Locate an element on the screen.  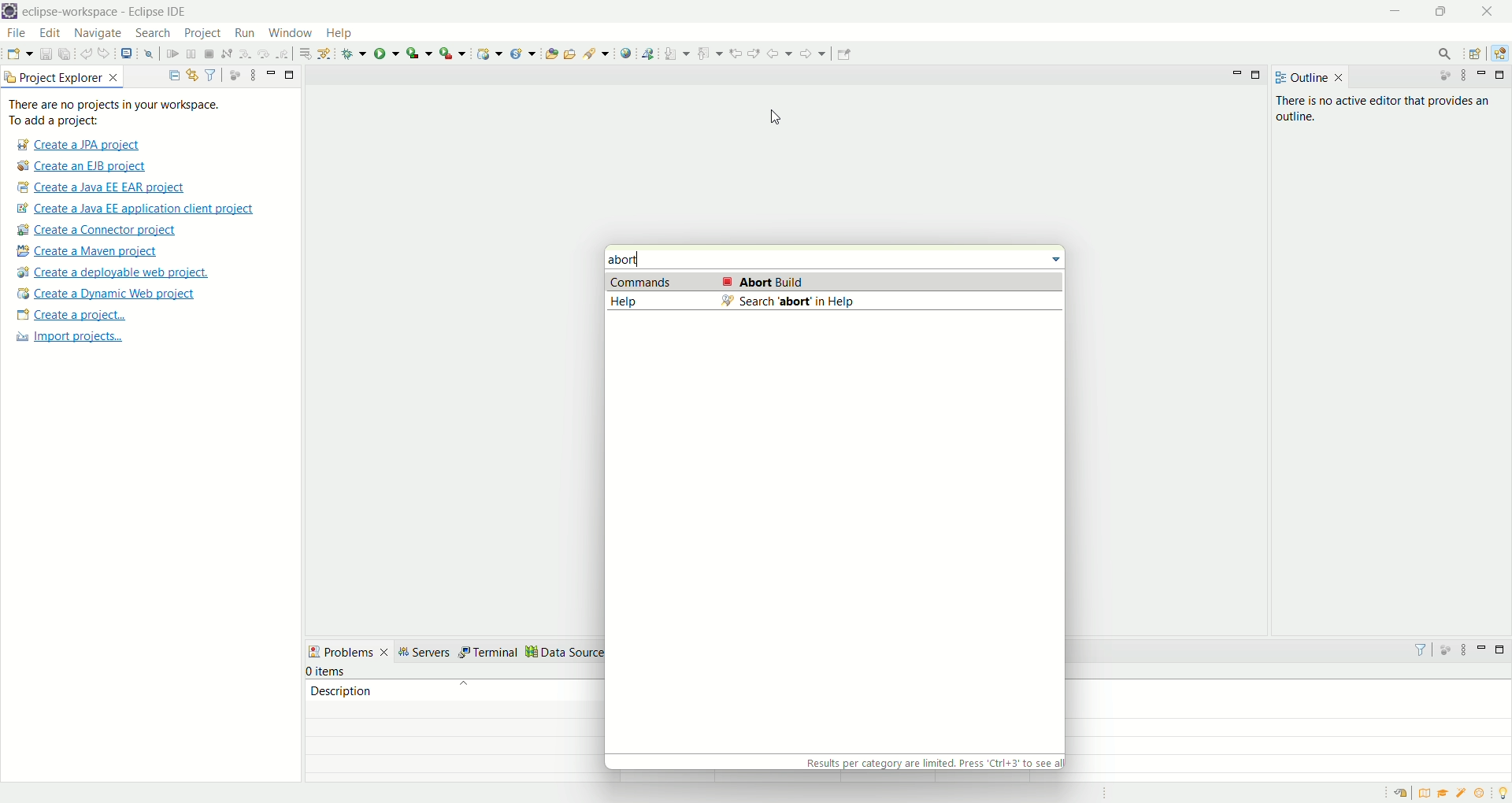
launch web service explorer is located at coordinates (650, 54).